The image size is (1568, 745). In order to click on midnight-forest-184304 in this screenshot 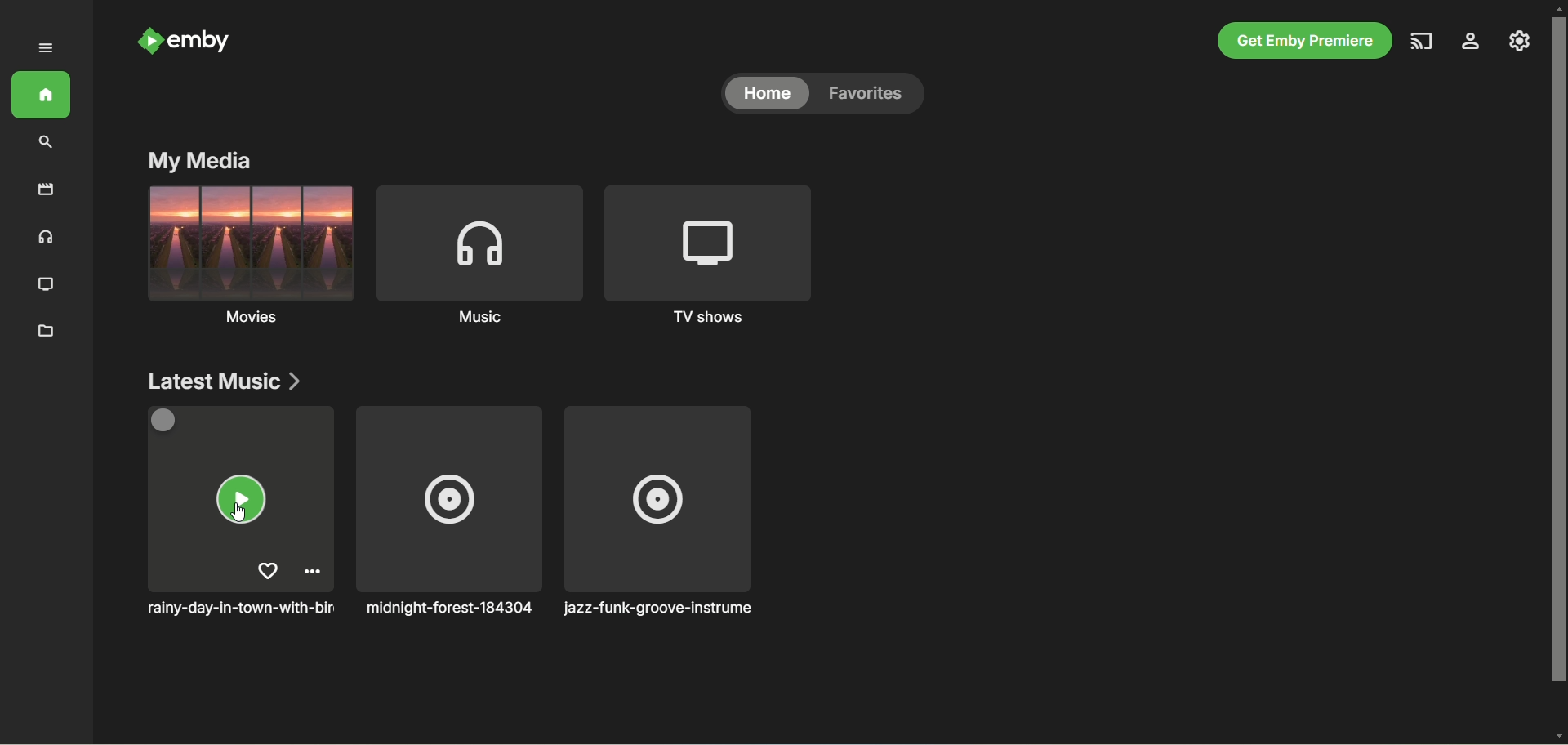, I will do `click(448, 512)`.